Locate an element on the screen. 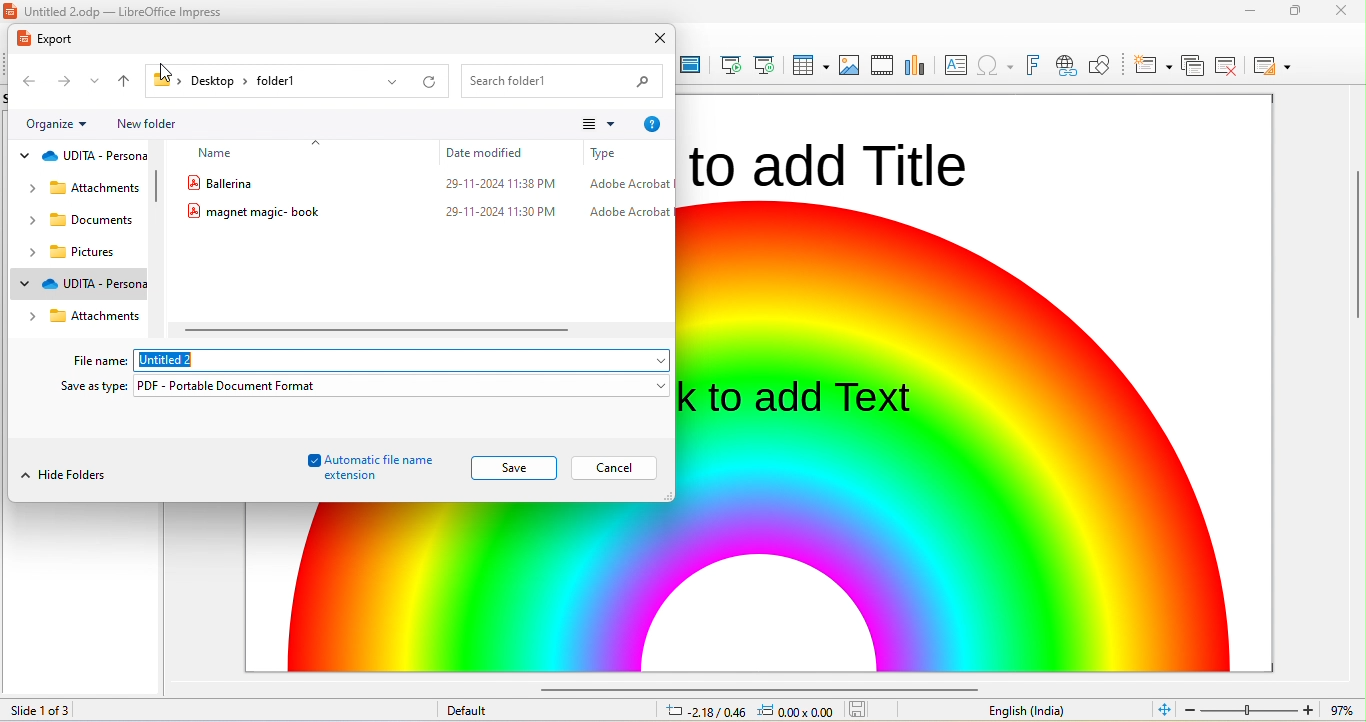 The height and width of the screenshot is (722, 1366). vertical scroll bar is located at coordinates (1357, 268).